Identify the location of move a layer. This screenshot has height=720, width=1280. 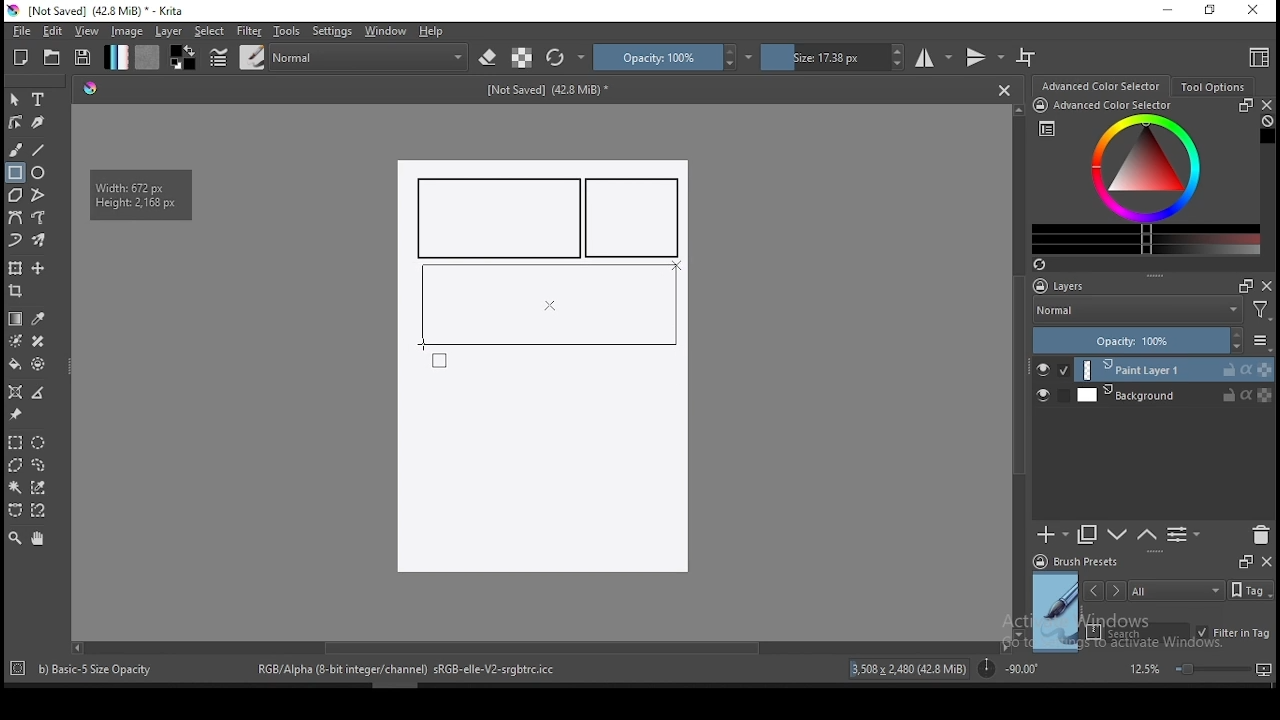
(38, 269).